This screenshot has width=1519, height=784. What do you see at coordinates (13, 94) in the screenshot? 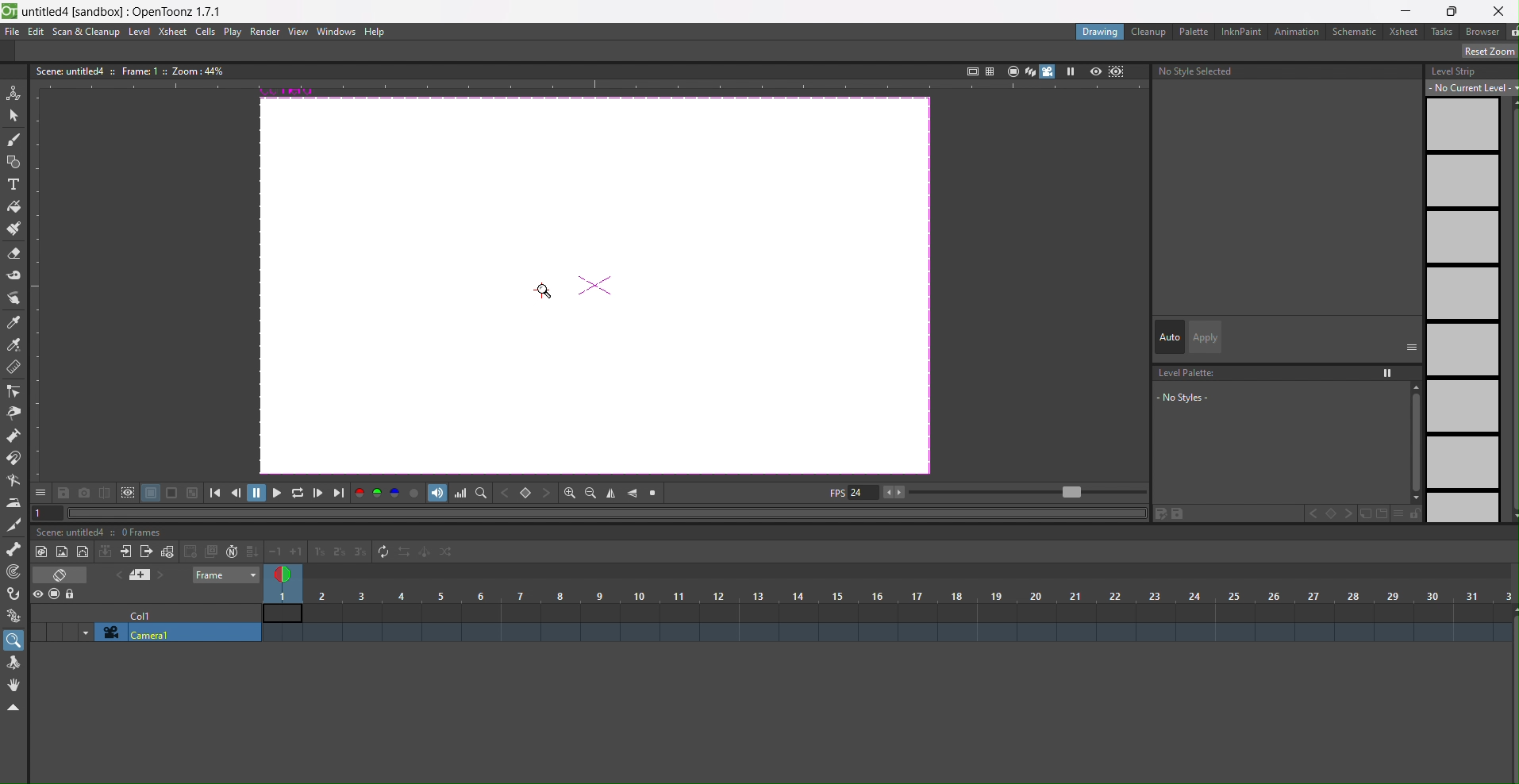
I see `` at bounding box center [13, 94].